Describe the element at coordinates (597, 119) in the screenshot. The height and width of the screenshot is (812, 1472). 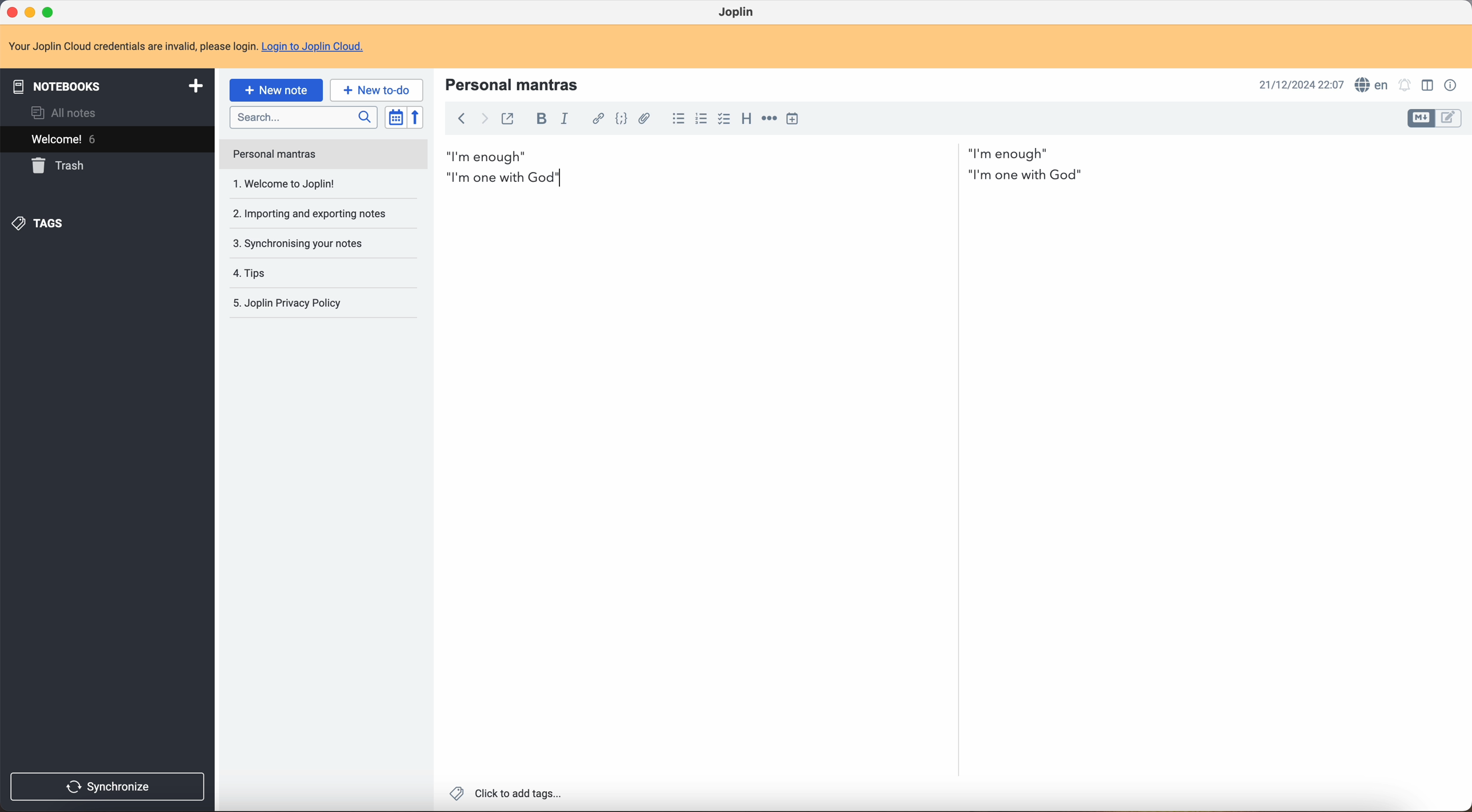
I see `hyperlink` at that location.